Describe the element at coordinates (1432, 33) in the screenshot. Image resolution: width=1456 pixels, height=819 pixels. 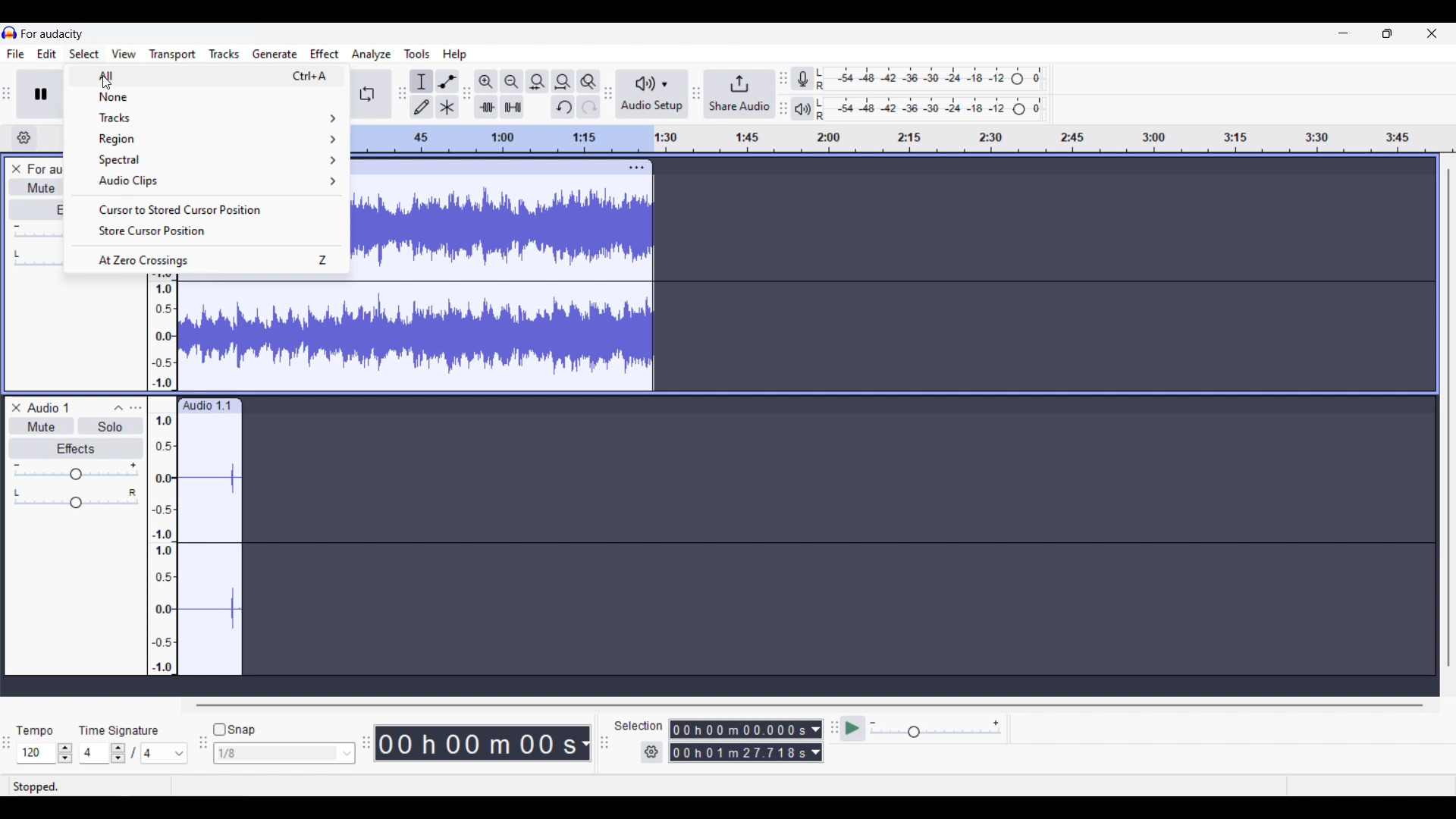
I see `Close interface` at that location.